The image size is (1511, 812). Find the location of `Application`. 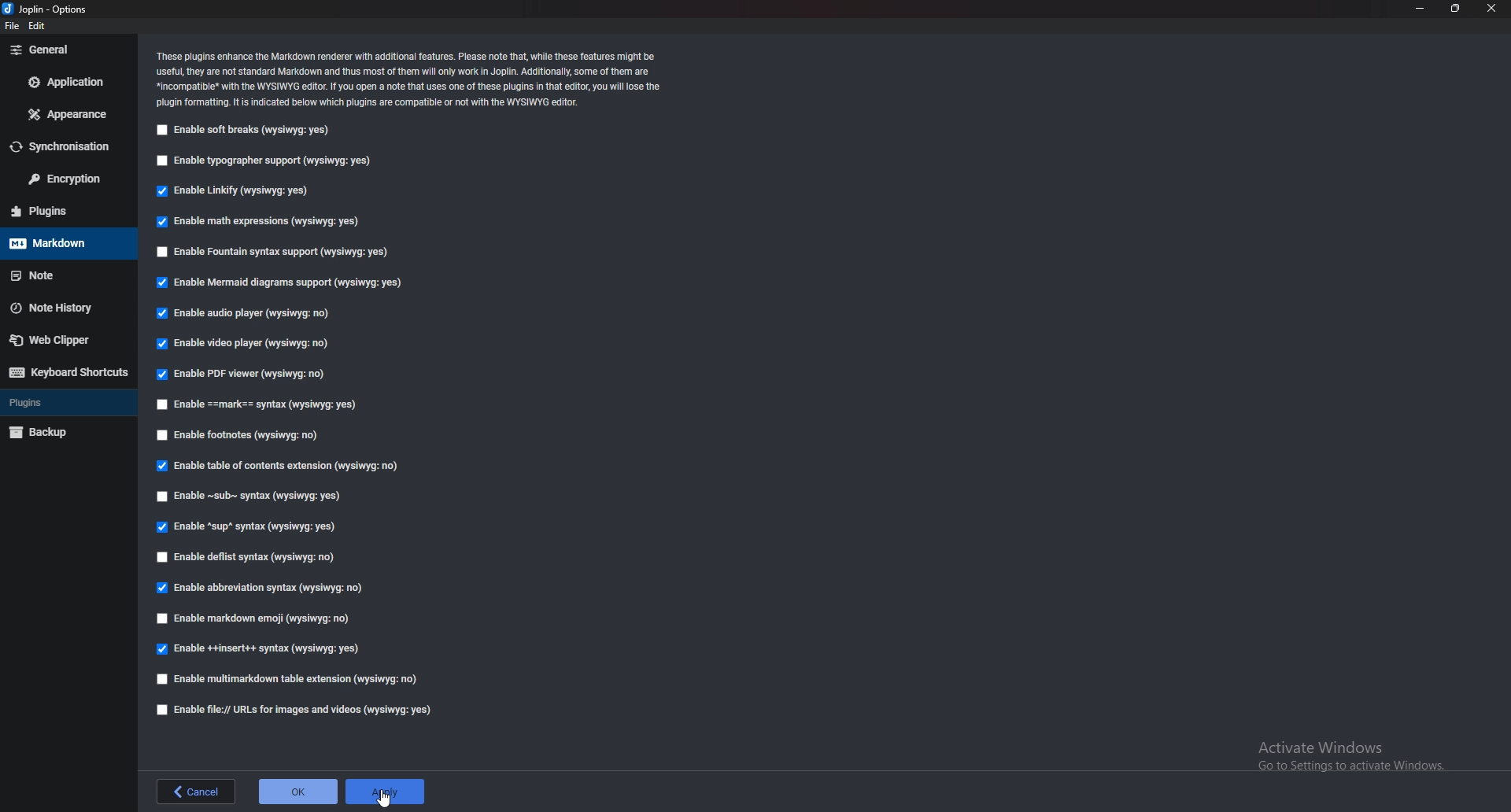

Application is located at coordinates (70, 80).